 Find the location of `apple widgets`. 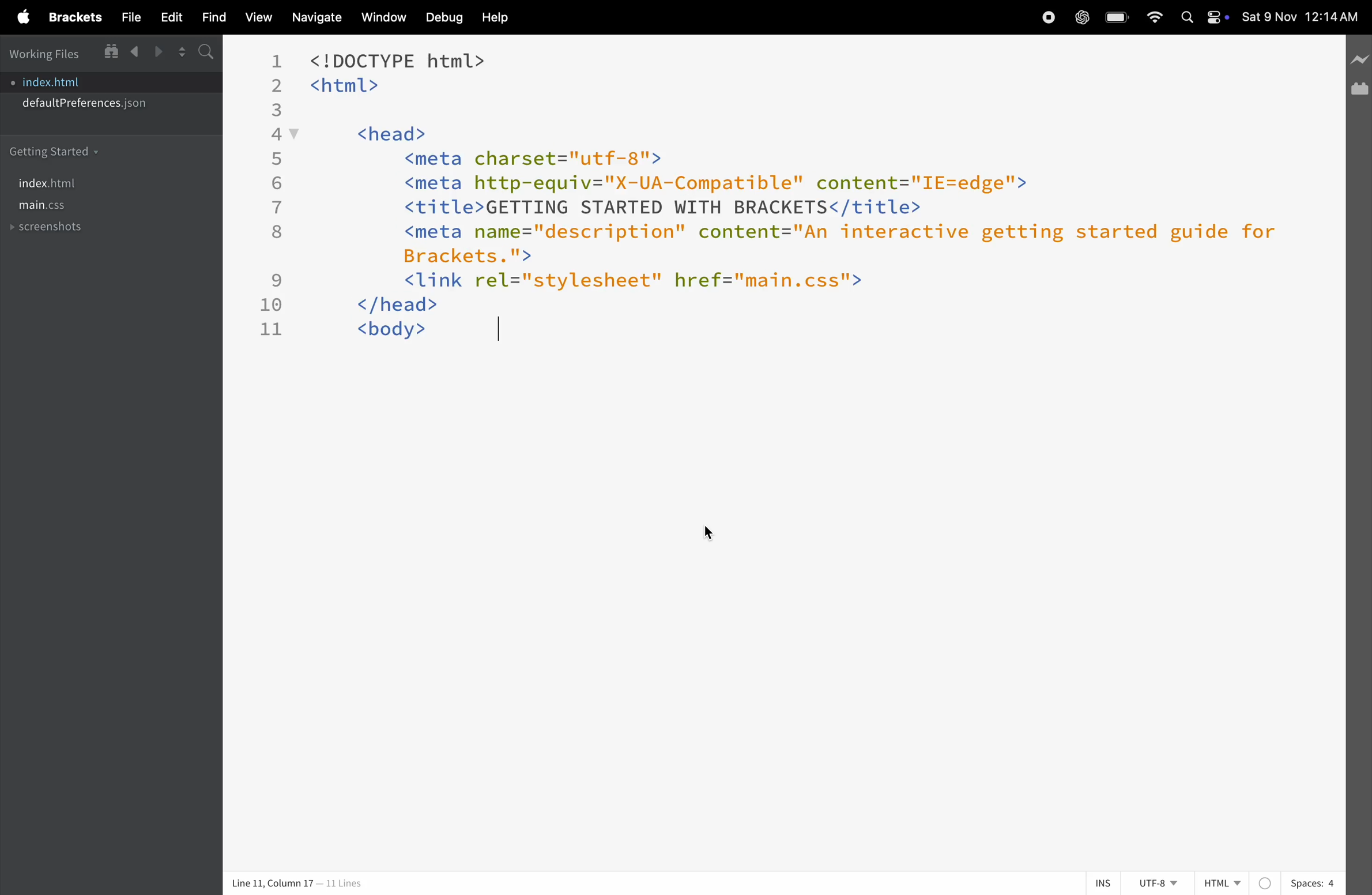

apple widgets is located at coordinates (1203, 14).